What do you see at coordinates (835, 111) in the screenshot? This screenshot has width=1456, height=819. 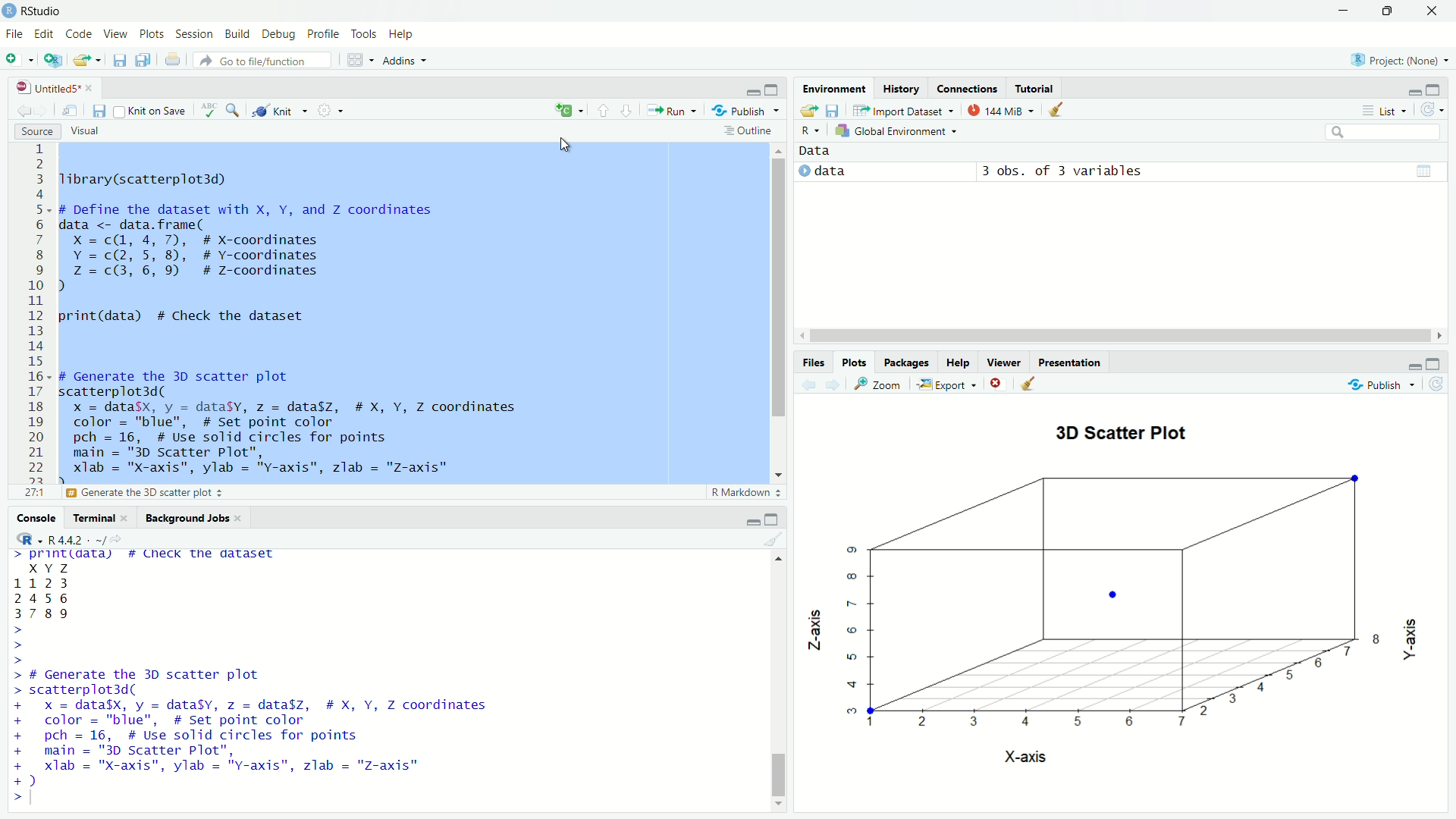 I see `save workspace as` at bounding box center [835, 111].